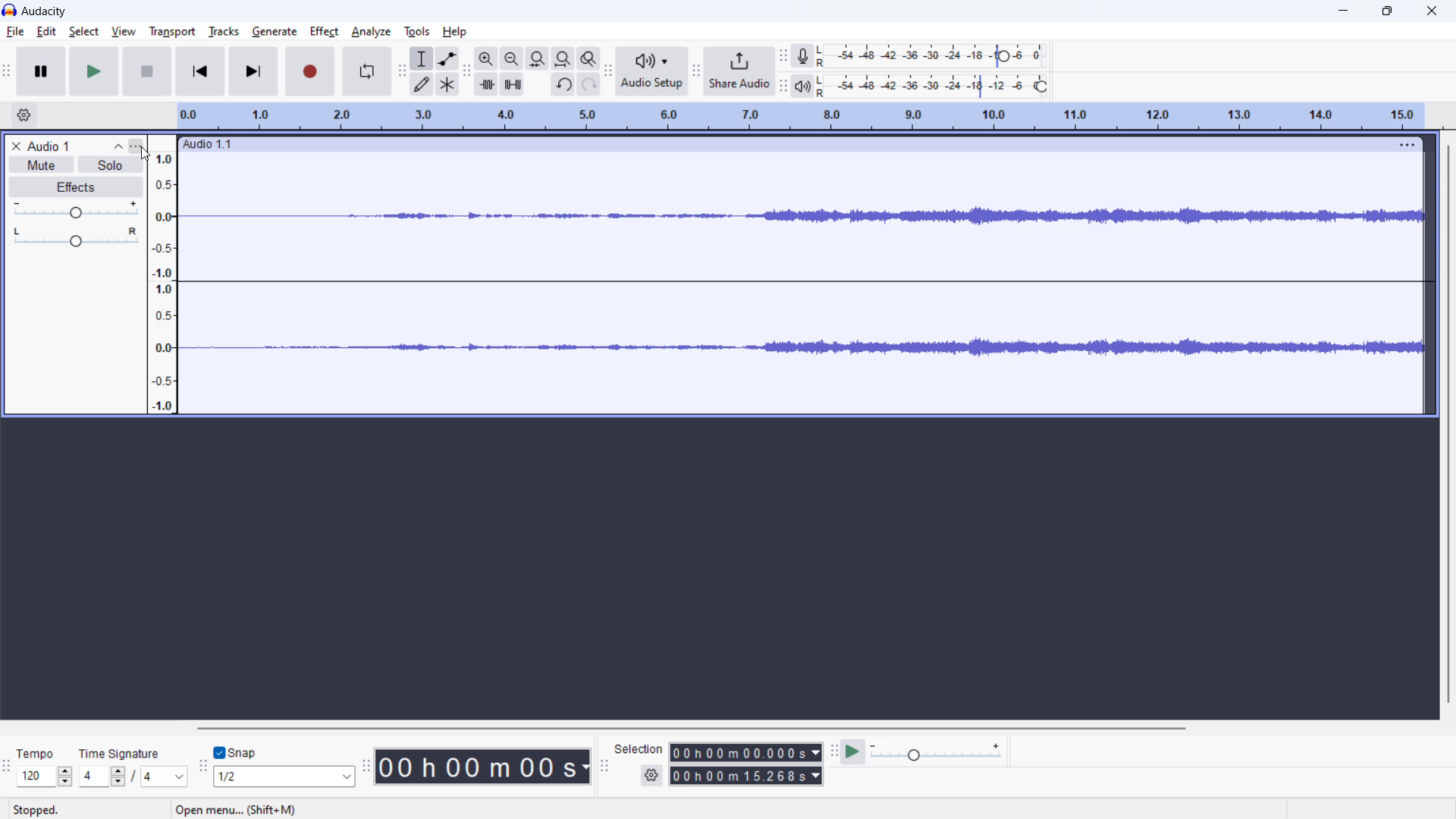 Image resolution: width=1456 pixels, height=819 pixels. I want to click on silence audio selection, so click(512, 84).